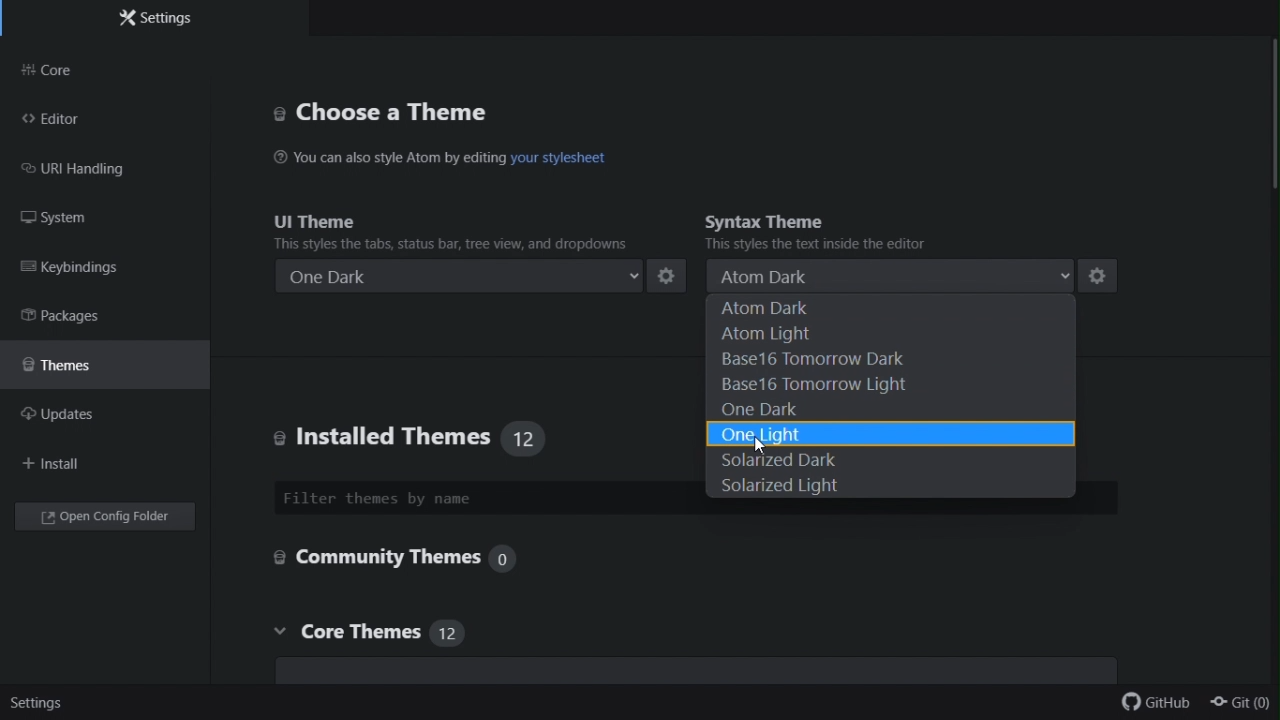 The width and height of the screenshot is (1280, 720). Describe the element at coordinates (888, 433) in the screenshot. I see `one light` at that location.